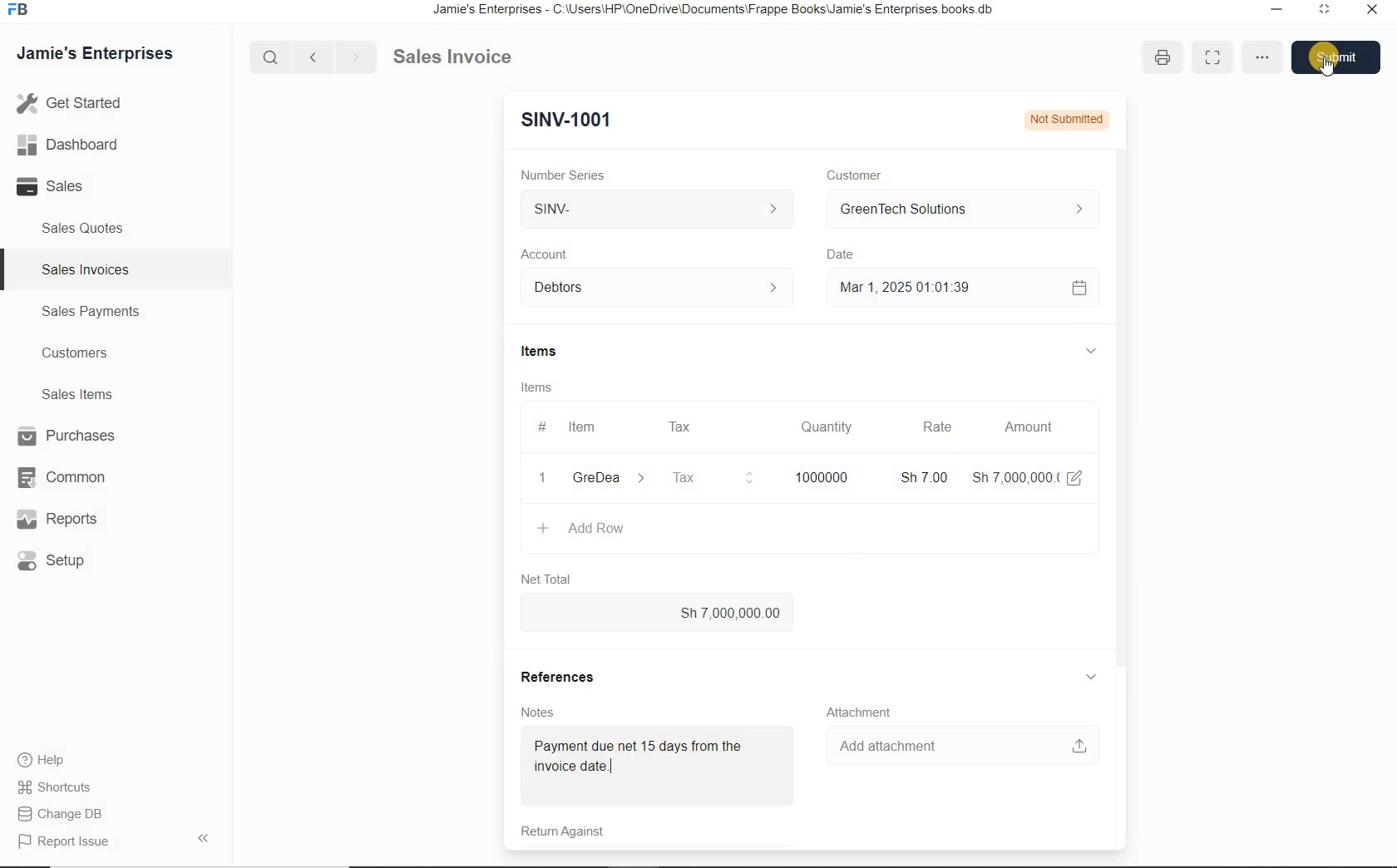 Image resolution: width=1397 pixels, height=868 pixels. I want to click on Sh 7.00, so click(921, 476).